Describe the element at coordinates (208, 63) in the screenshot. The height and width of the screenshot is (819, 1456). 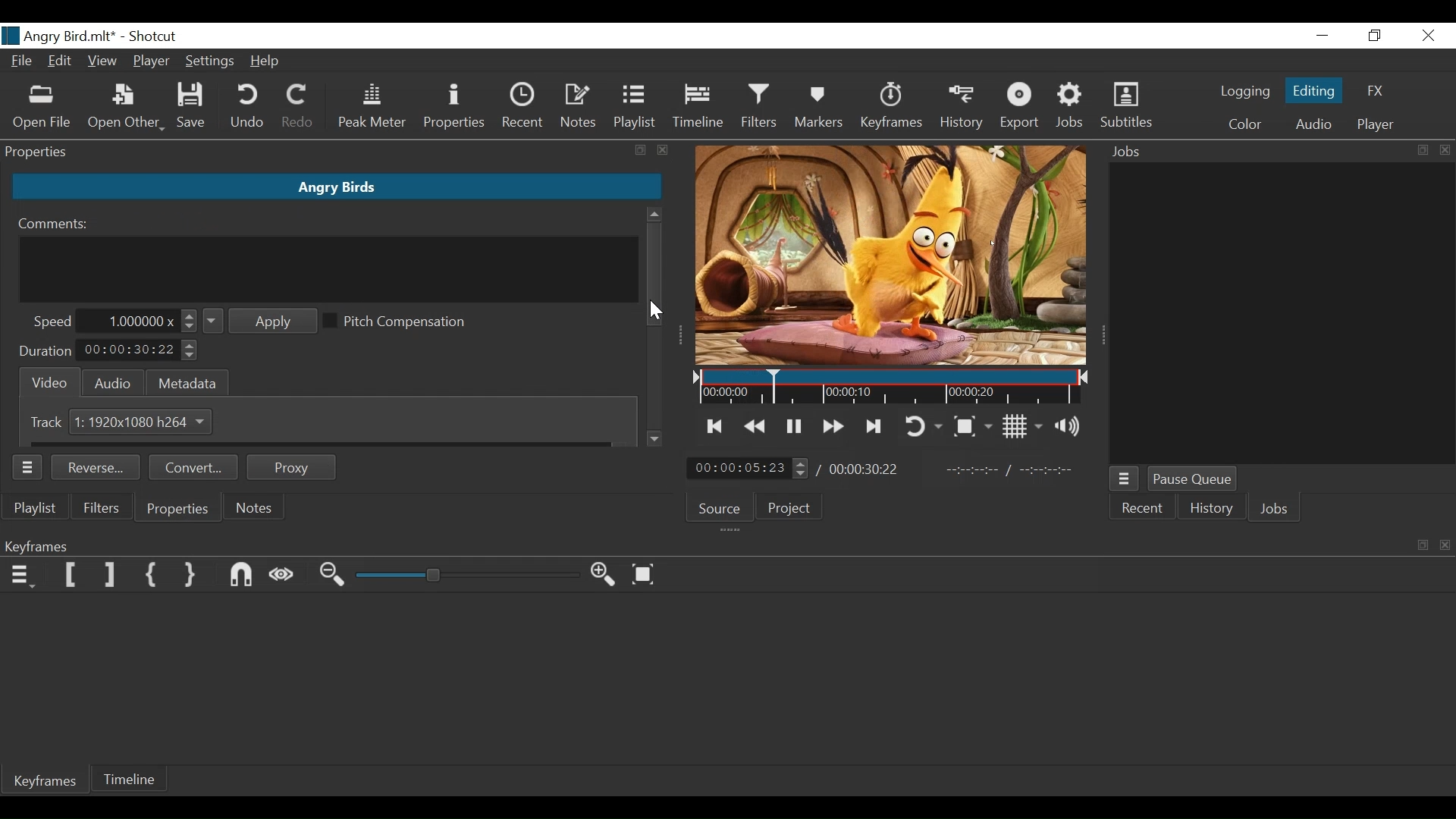
I see `Settings` at that location.